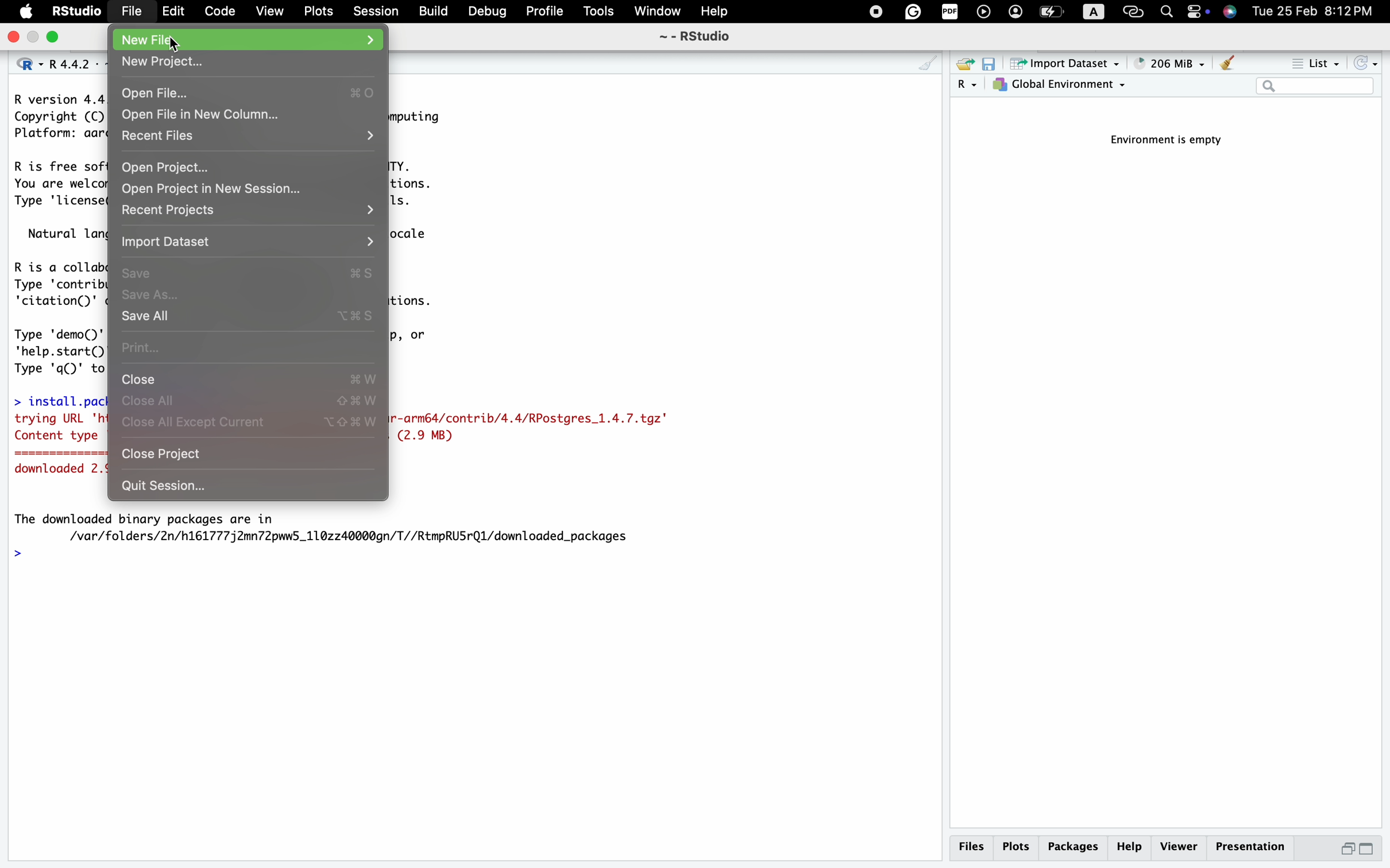 The image size is (1390, 868). Describe the element at coordinates (1169, 64) in the screenshot. I see `148 MiB` at that location.